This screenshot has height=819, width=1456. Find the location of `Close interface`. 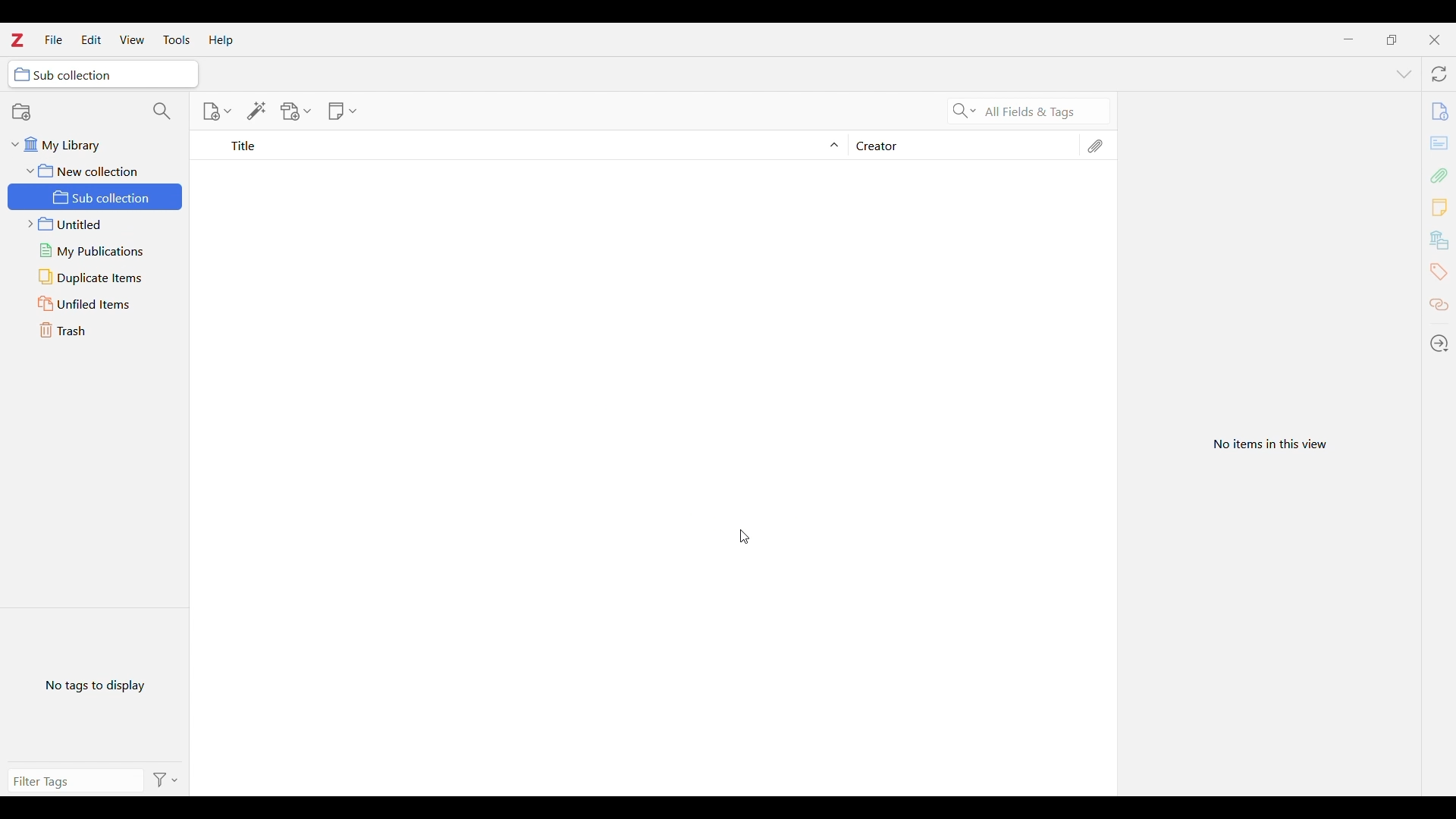

Close interface is located at coordinates (1434, 40).